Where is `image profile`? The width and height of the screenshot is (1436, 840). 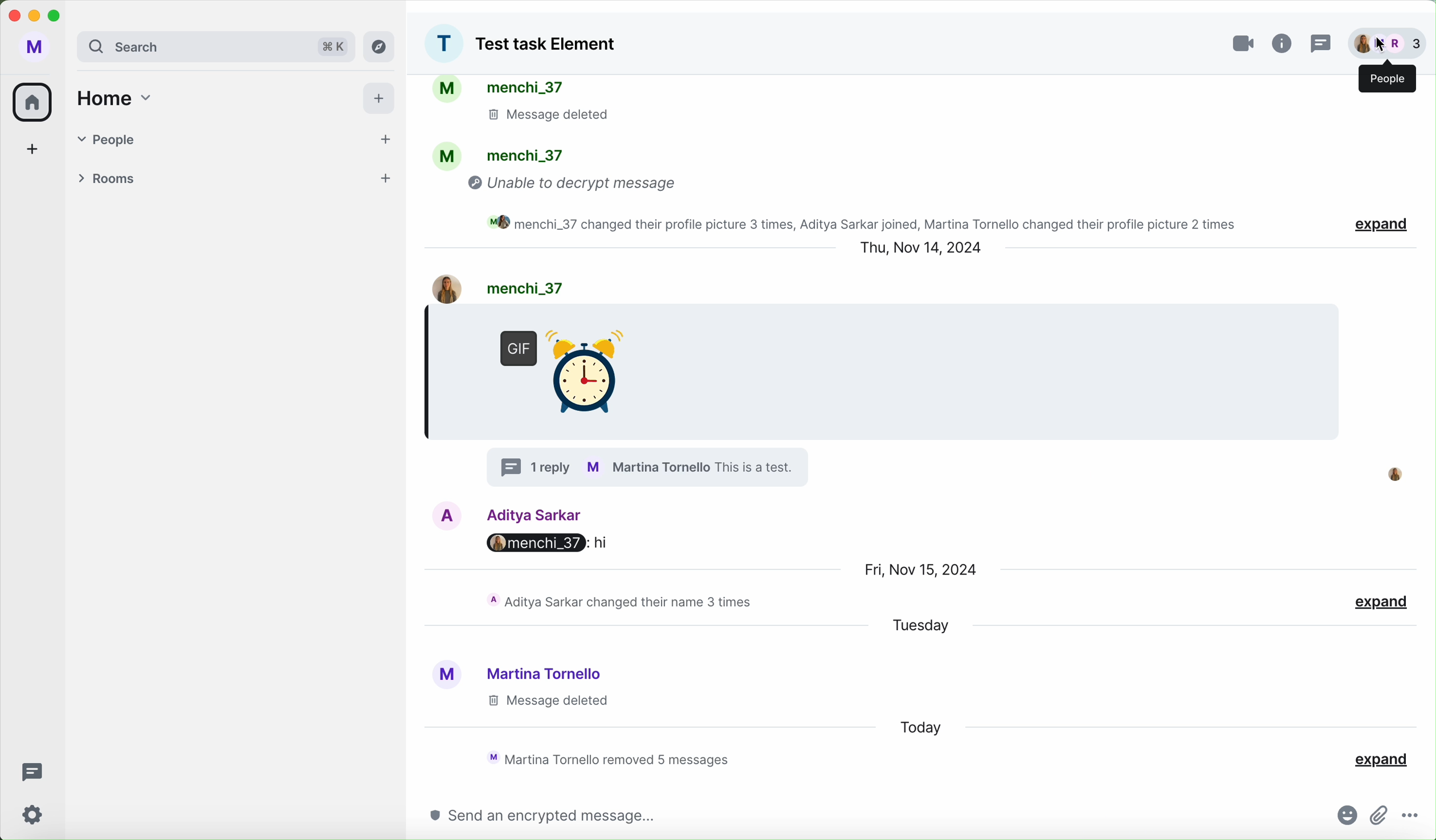
image profile is located at coordinates (448, 515).